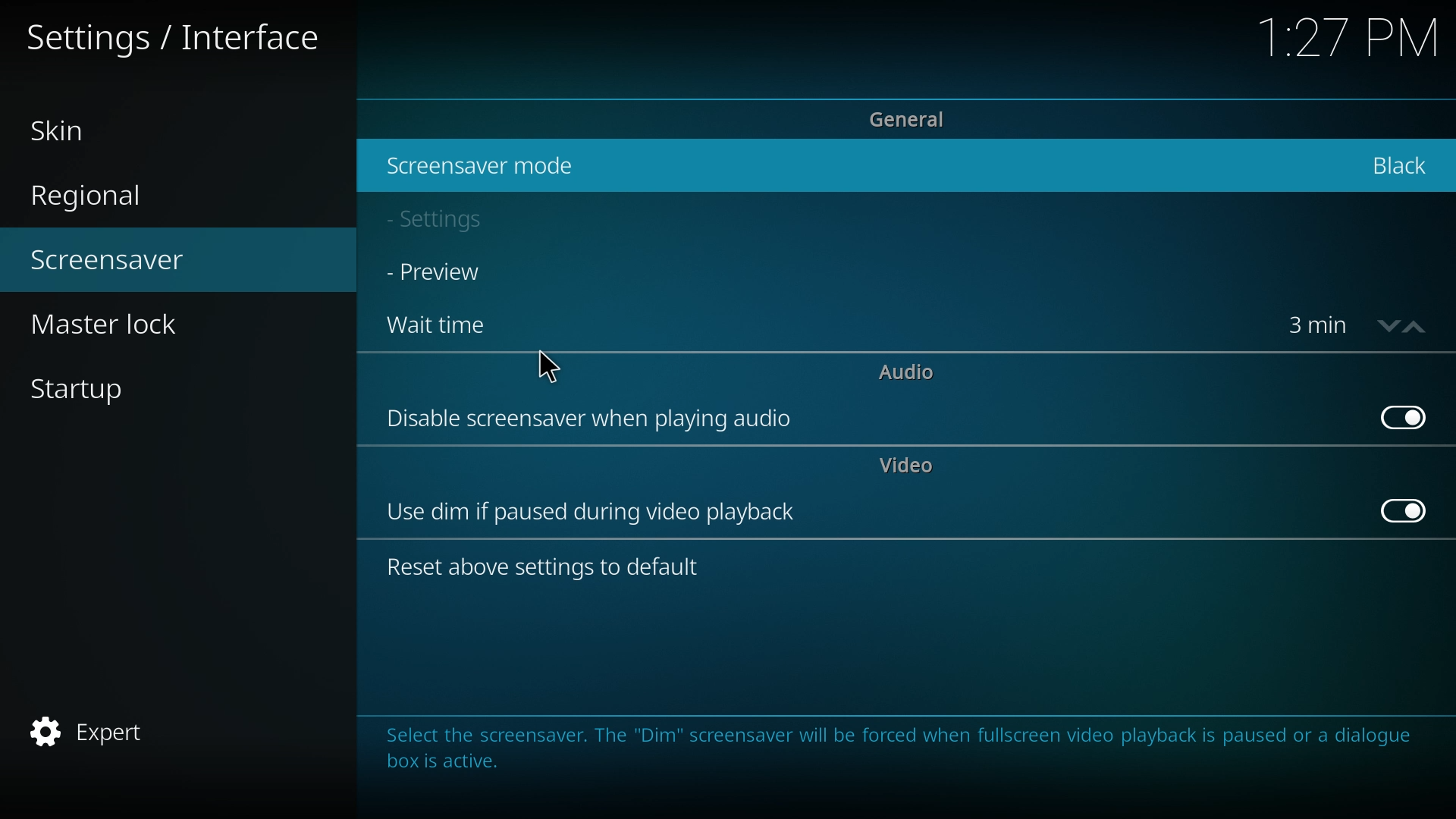 This screenshot has height=819, width=1456. What do you see at coordinates (549, 369) in the screenshot?
I see `cursor` at bounding box center [549, 369].